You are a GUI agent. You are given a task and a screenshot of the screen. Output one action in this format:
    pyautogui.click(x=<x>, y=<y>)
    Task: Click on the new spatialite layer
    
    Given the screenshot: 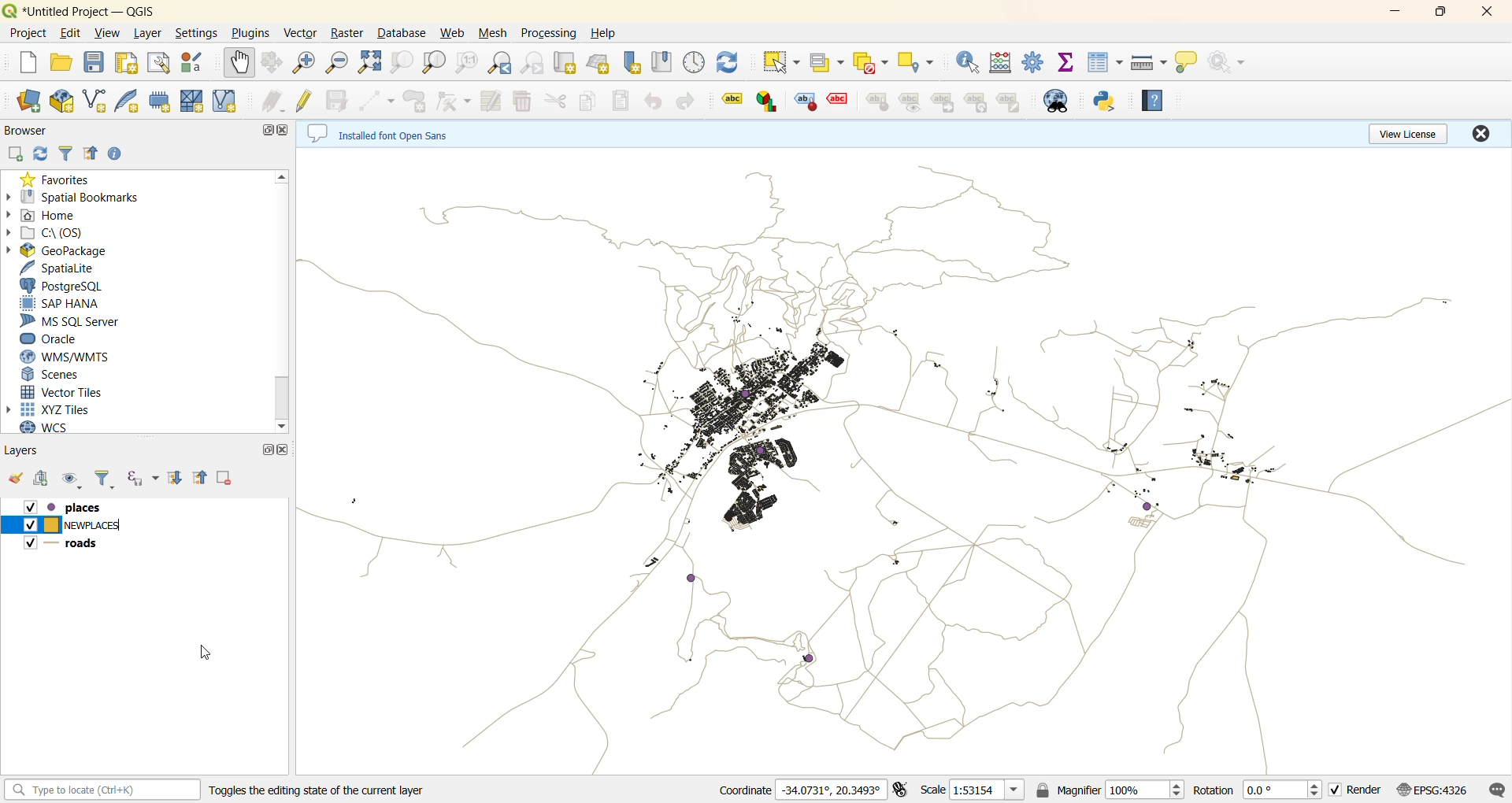 What is the action you would take?
    pyautogui.click(x=128, y=102)
    